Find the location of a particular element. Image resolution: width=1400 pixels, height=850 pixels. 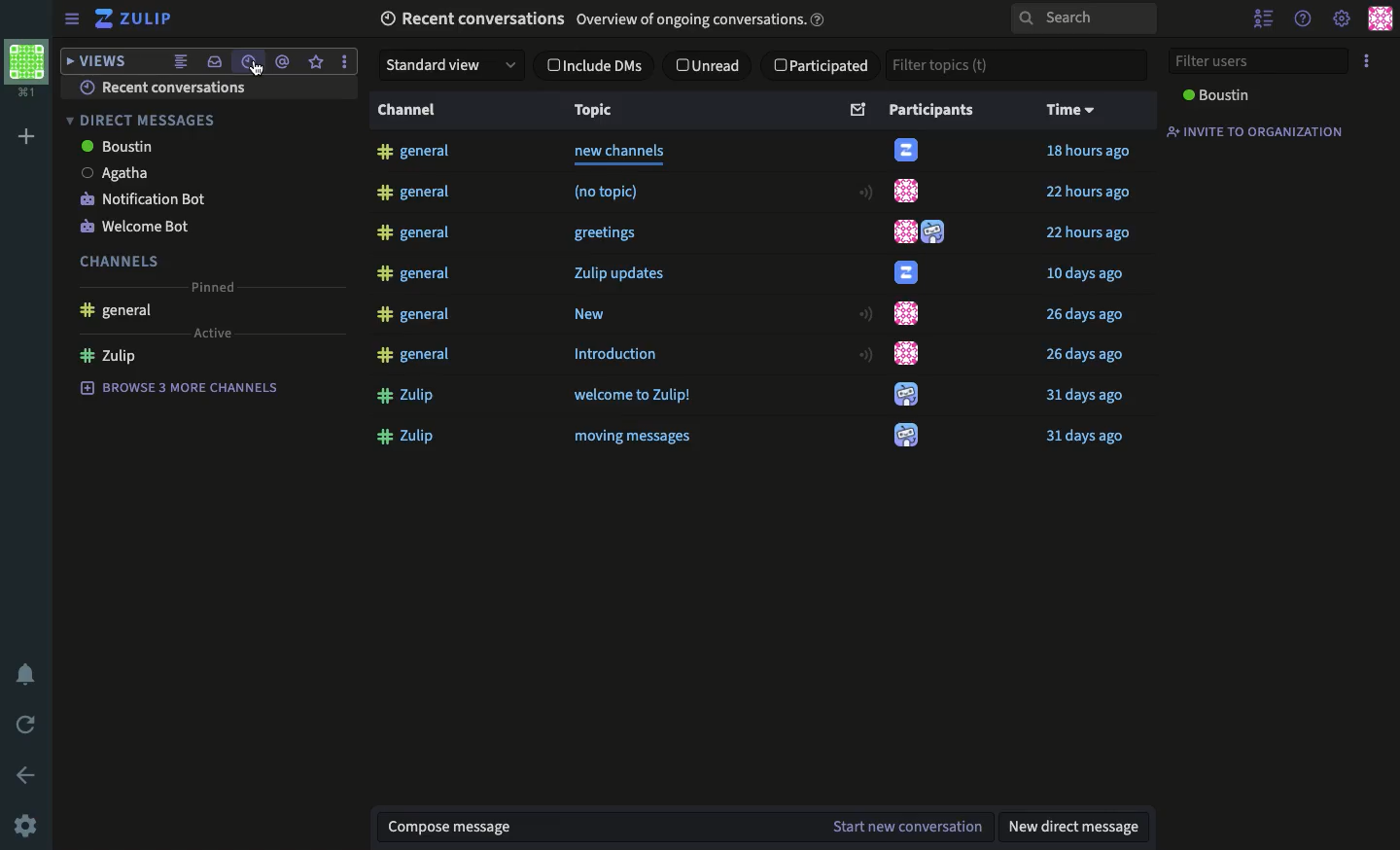

refresh is located at coordinates (30, 724).